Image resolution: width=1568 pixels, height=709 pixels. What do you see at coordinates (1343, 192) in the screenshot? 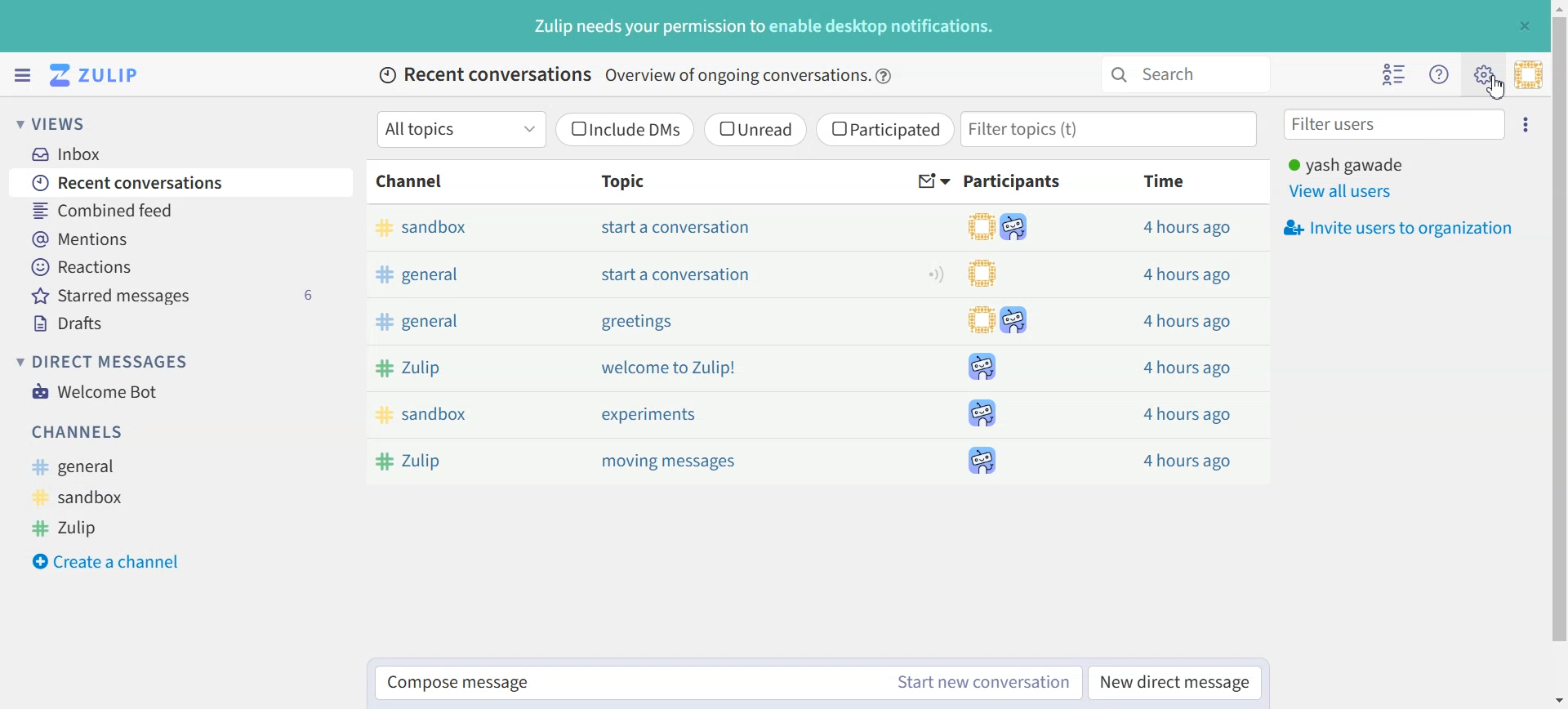
I see `View all users` at bounding box center [1343, 192].